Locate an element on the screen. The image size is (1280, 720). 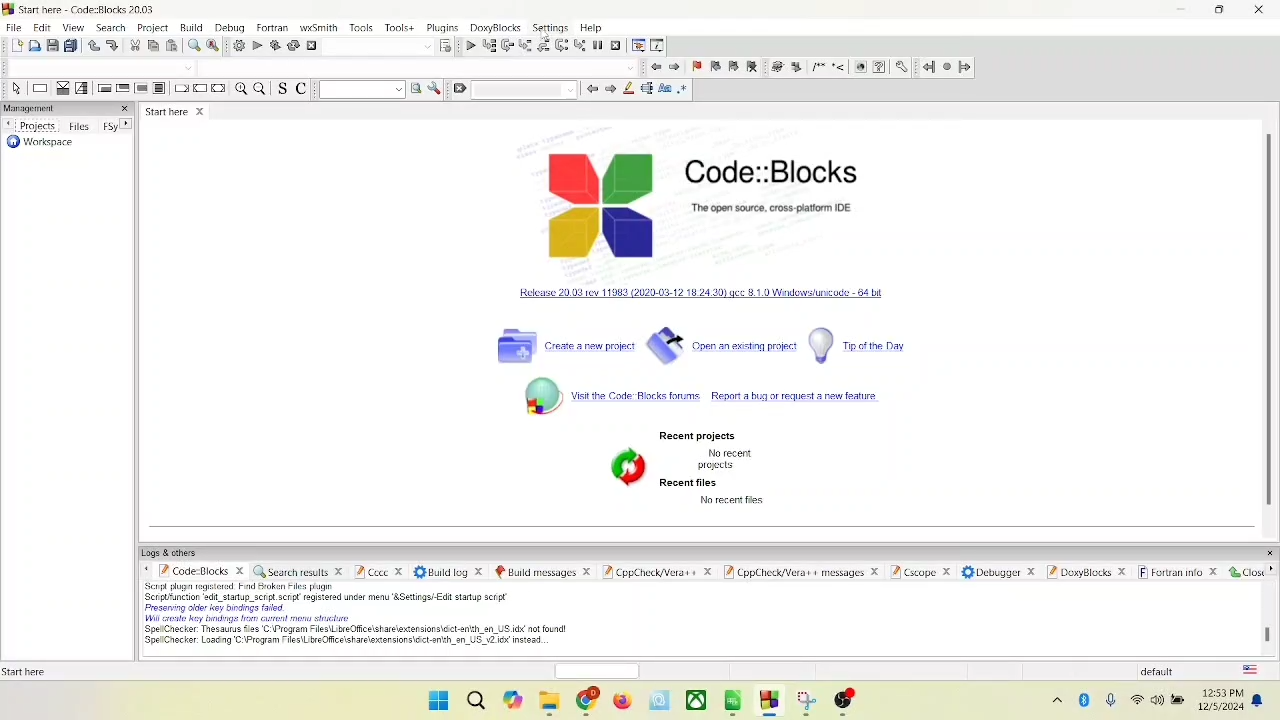
text is located at coordinates (360, 620).